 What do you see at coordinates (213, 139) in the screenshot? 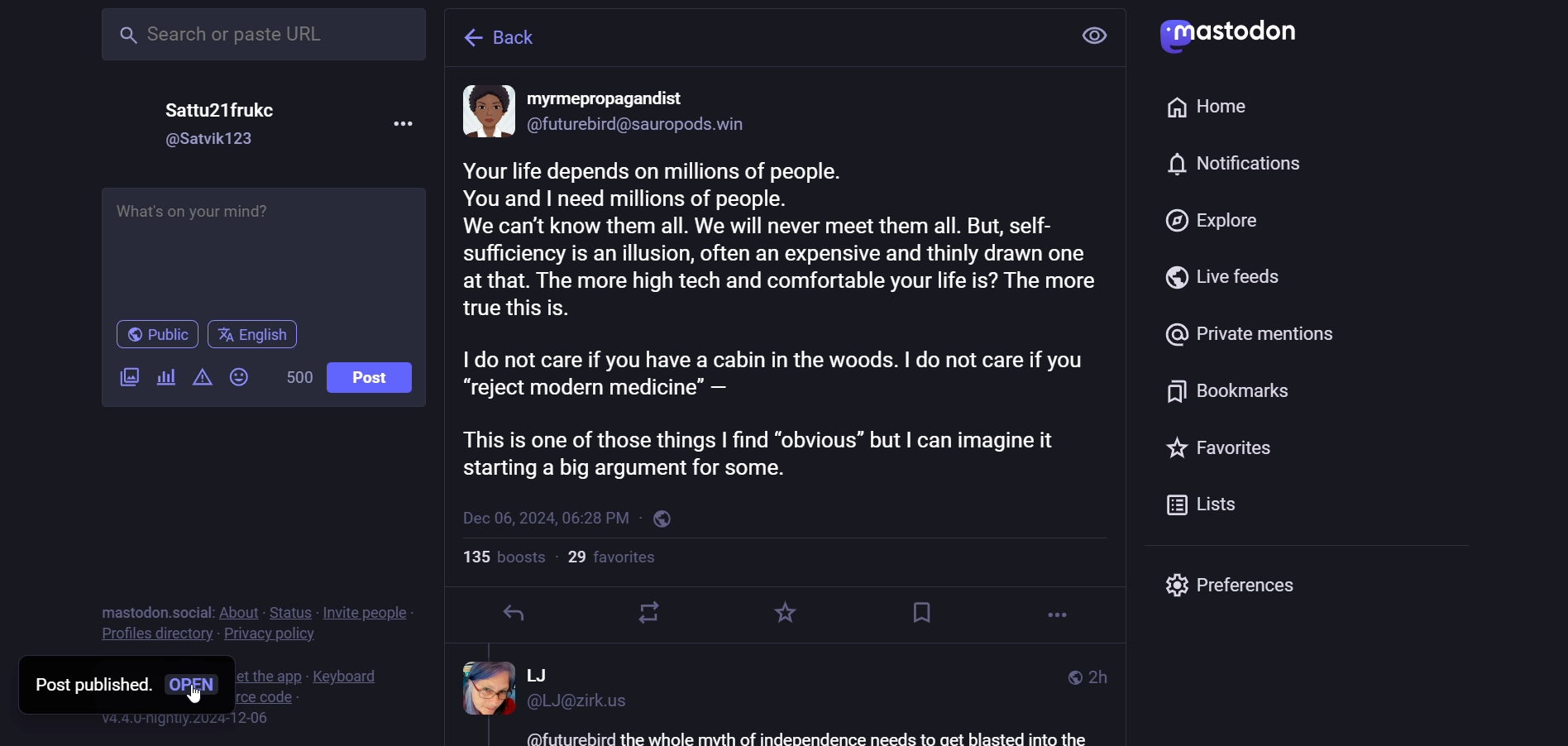
I see `@Satvik123` at bounding box center [213, 139].